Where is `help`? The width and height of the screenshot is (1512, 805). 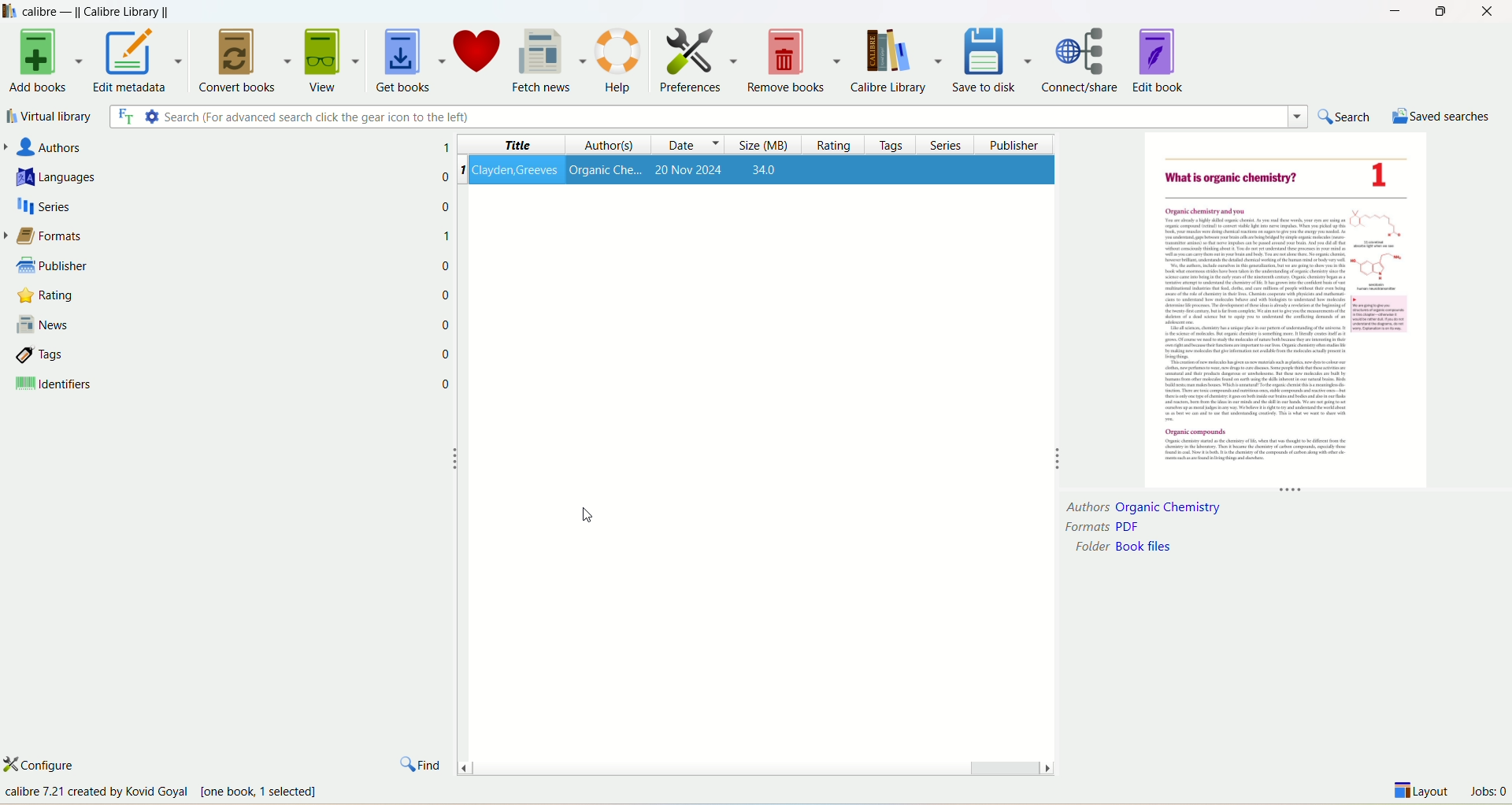
help is located at coordinates (621, 61).